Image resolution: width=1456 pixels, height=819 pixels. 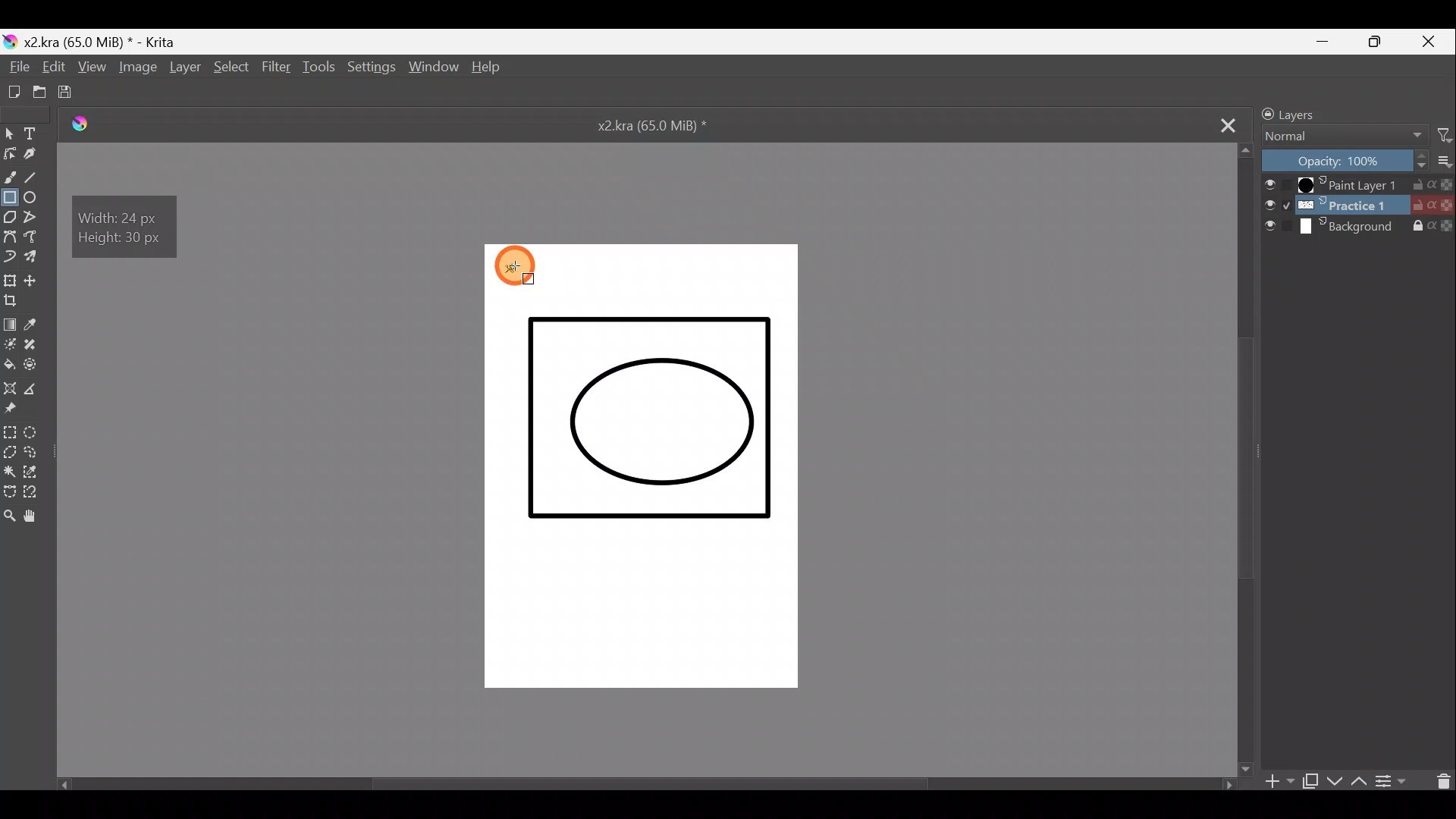 I want to click on Reference images tool, so click(x=17, y=409).